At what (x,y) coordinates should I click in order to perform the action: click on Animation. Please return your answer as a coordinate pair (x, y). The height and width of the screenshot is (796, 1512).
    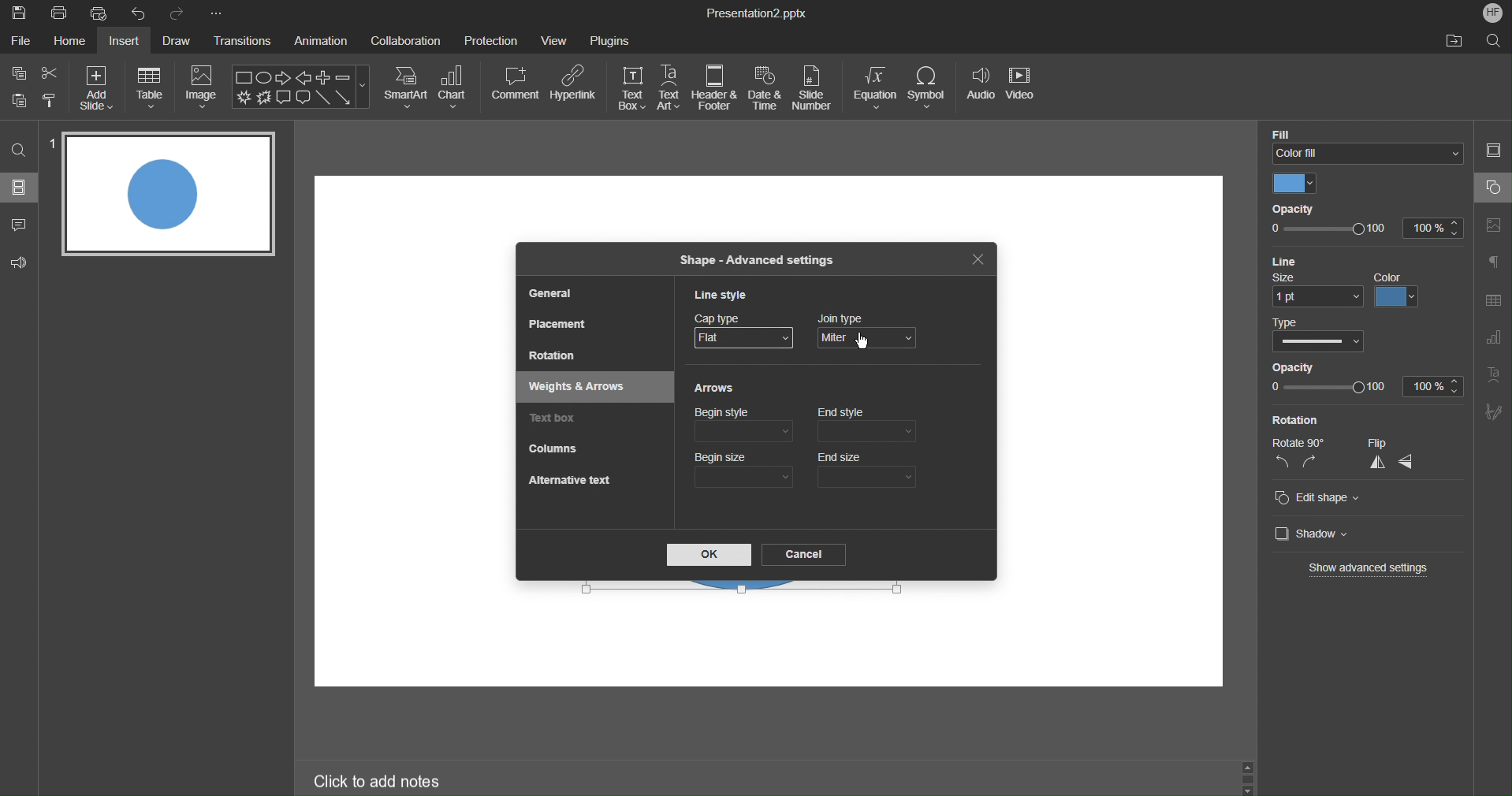
    Looking at the image, I should click on (324, 42).